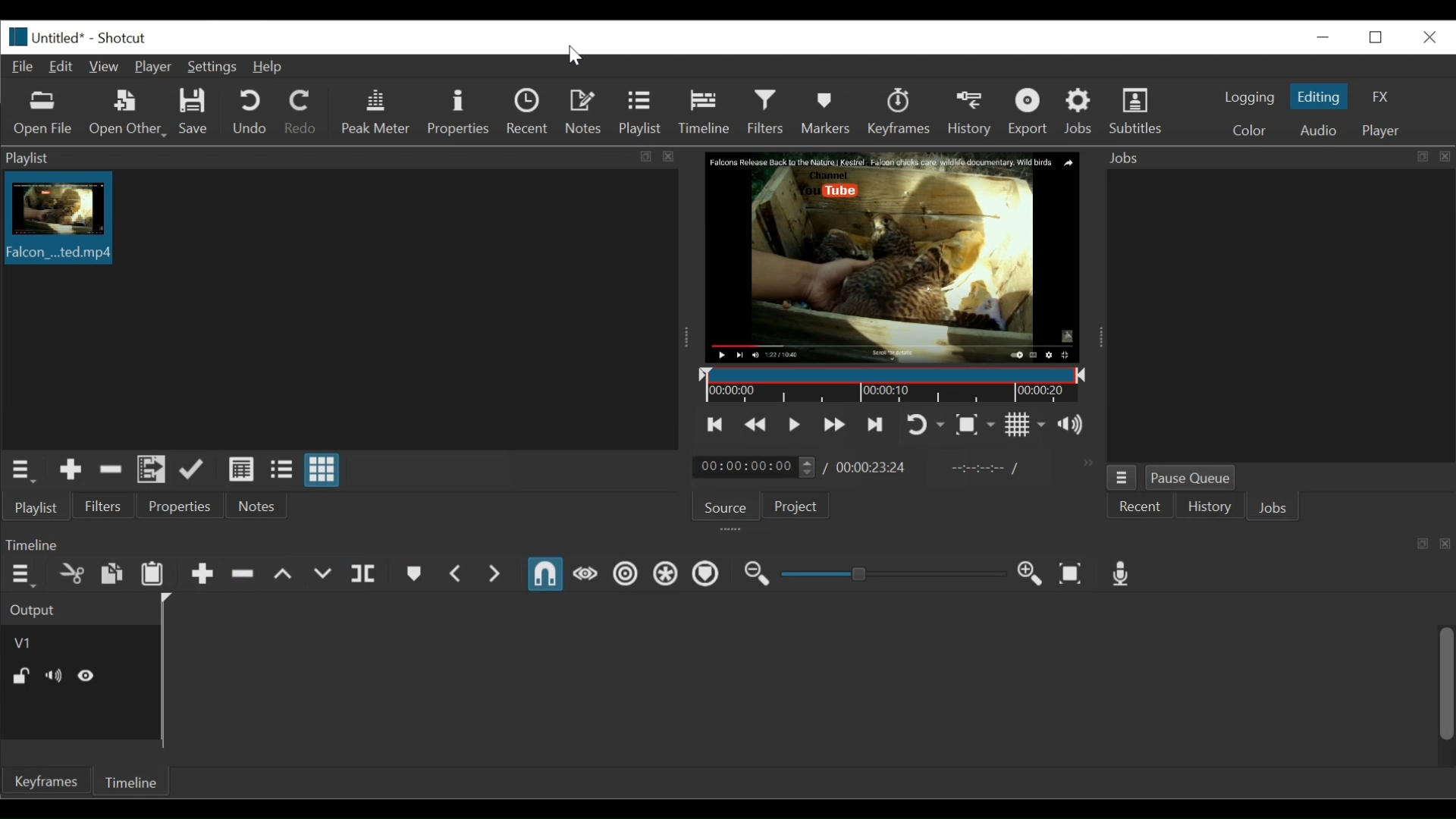 Image resolution: width=1456 pixels, height=819 pixels. What do you see at coordinates (766, 111) in the screenshot?
I see `Filters` at bounding box center [766, 111].